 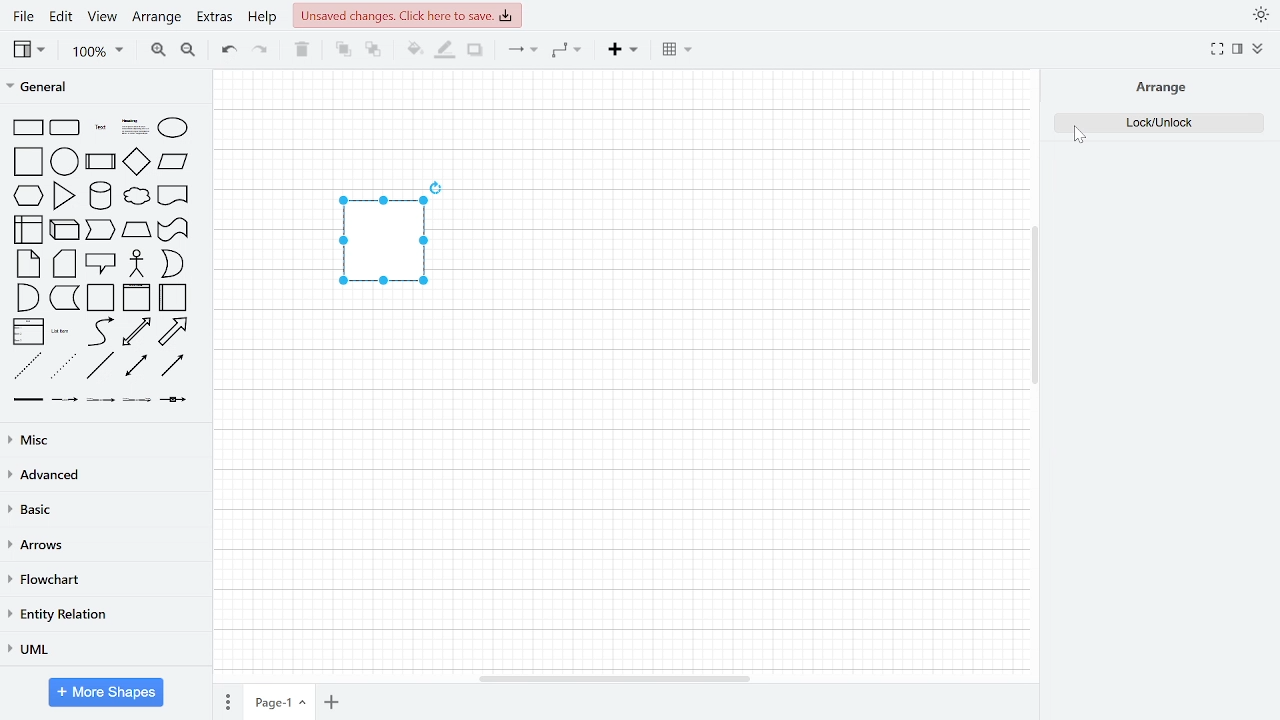 What do you see at coordinates (614, 678) in the screenshot?
I see `horizontal scrollbar` at bounding box center [614, 678].